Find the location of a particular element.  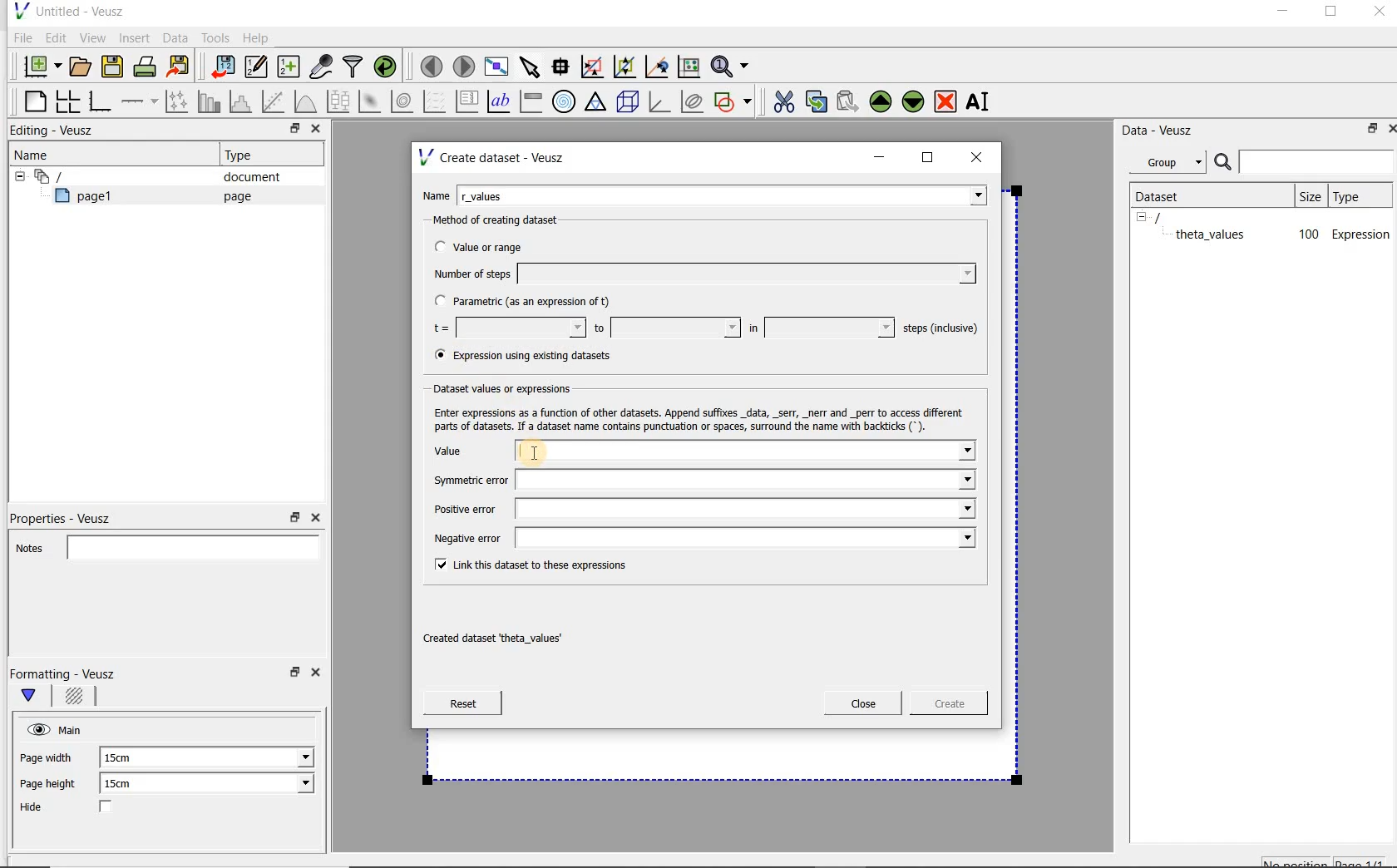

Type is located at coordinates (1358, 195).